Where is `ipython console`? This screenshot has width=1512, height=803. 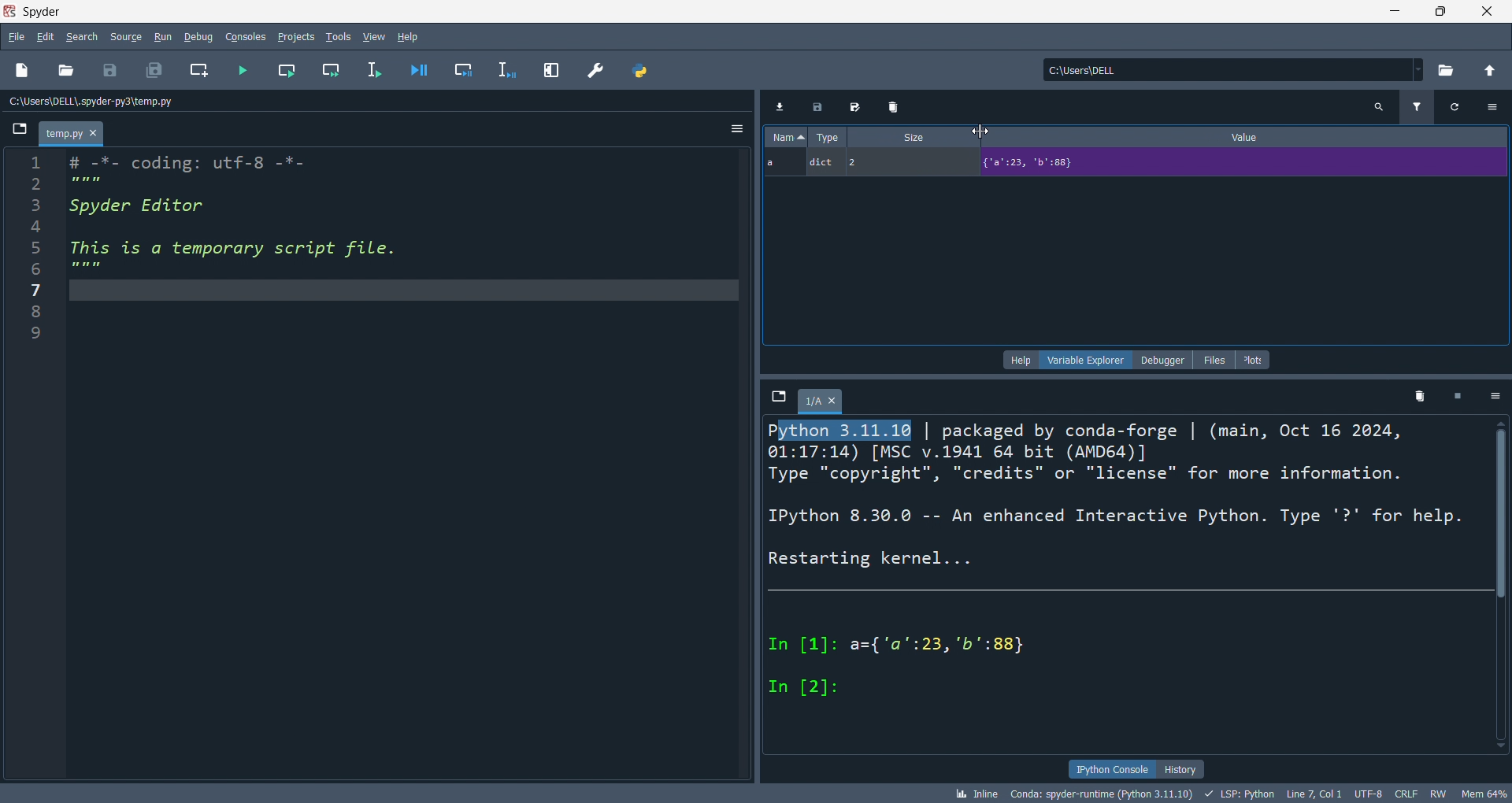
ipython console is located at coordinates (1109, 769).